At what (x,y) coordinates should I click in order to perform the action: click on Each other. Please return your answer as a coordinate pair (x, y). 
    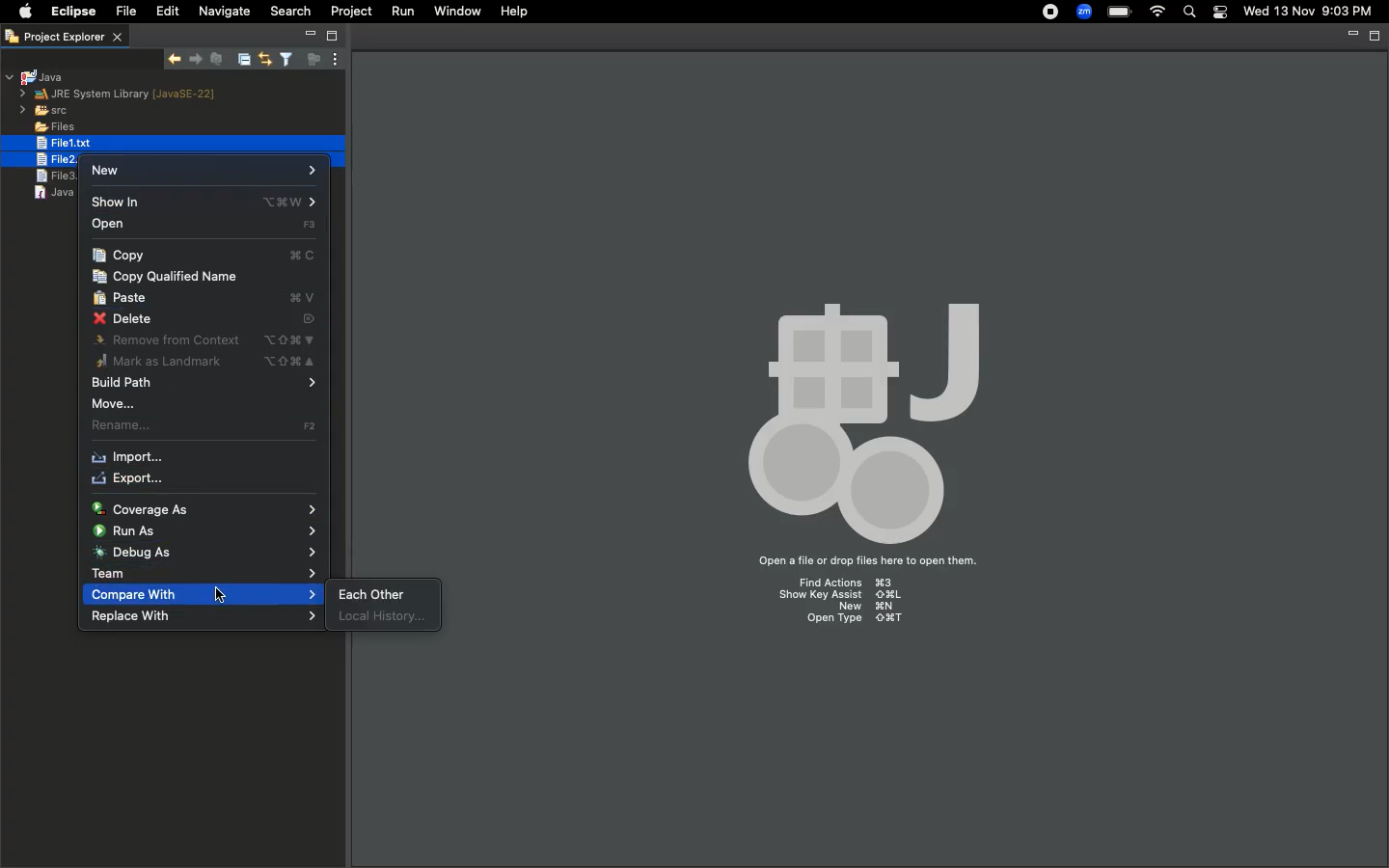
    Looking at the image, I should click on (371, 595).